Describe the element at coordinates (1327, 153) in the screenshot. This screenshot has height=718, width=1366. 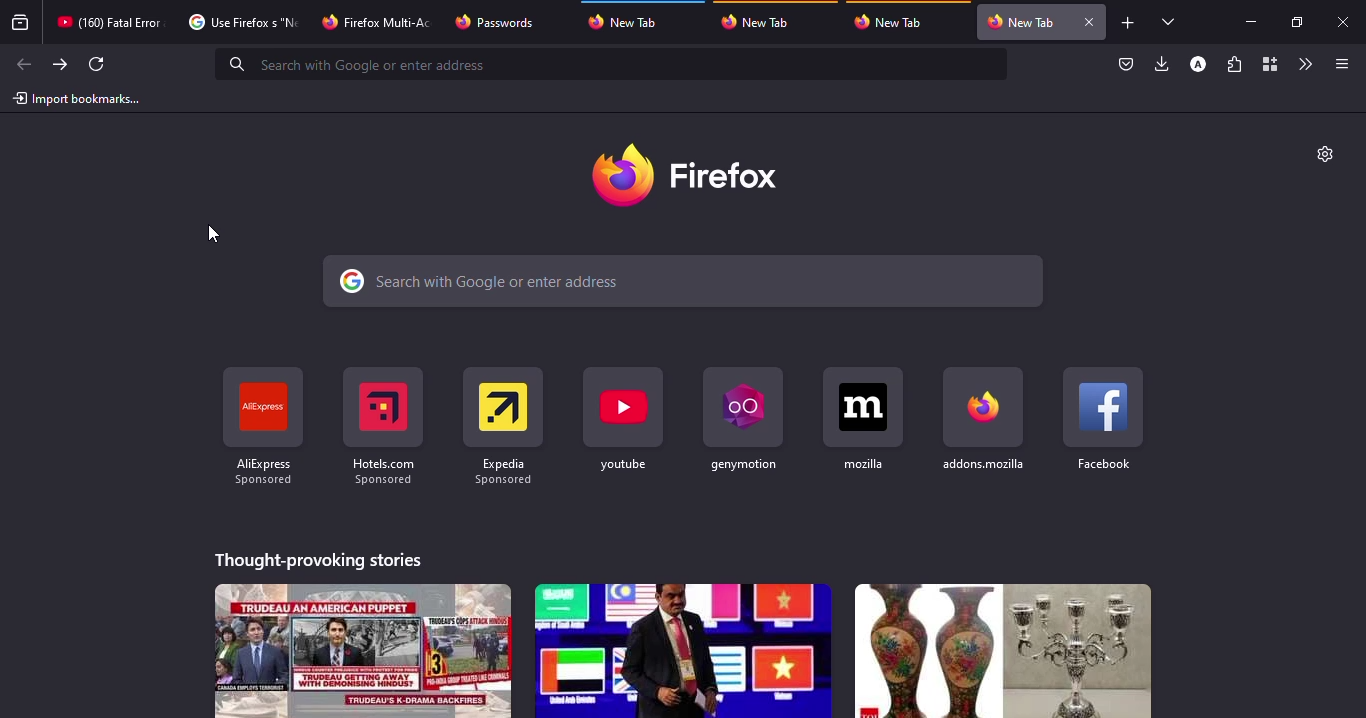
I see `settings` at that location.